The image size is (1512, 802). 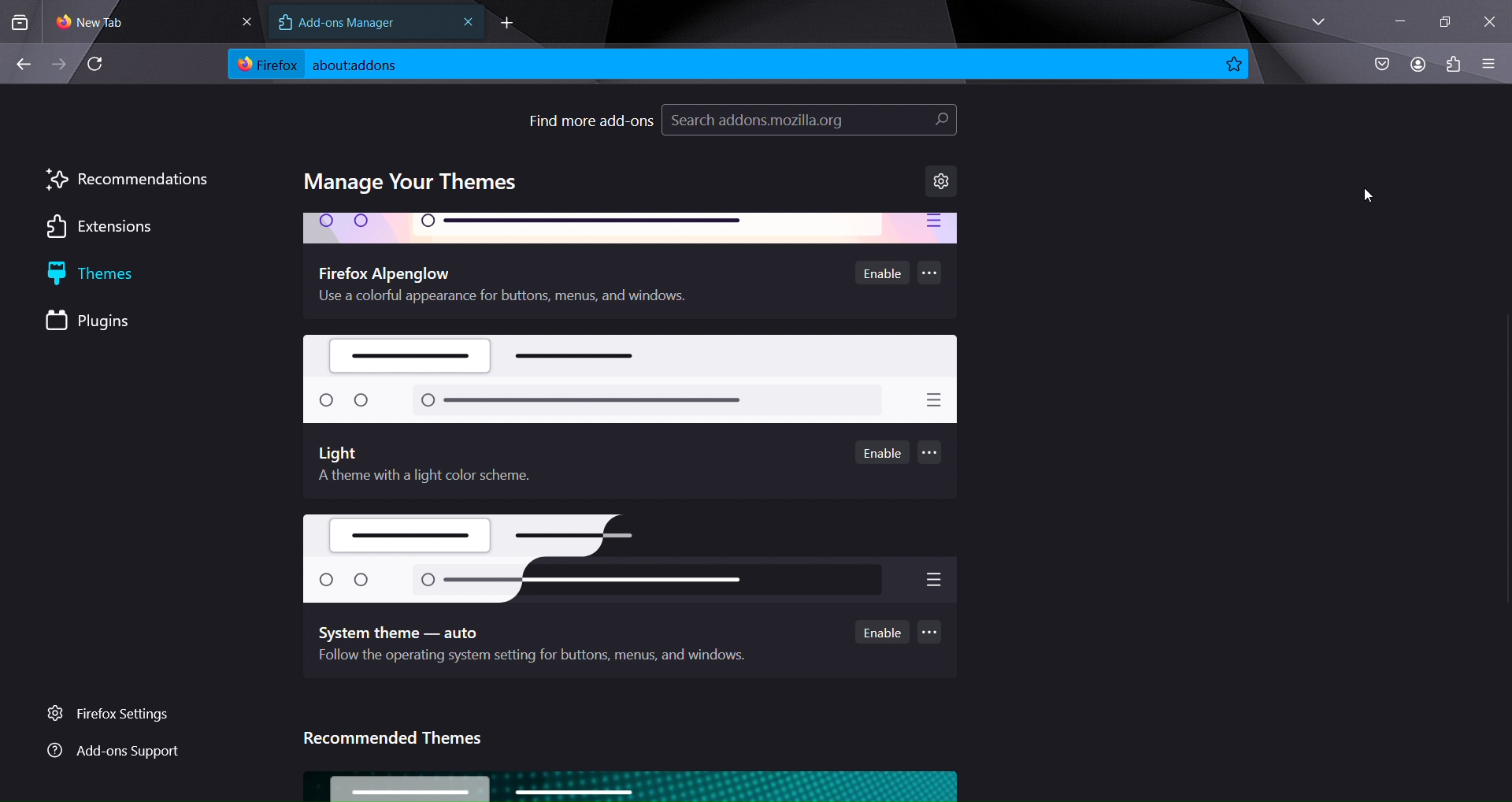 What do you see at coordinates (109, 22) in the screenshot?
I see `current tab` at bounding box center [109, 22].